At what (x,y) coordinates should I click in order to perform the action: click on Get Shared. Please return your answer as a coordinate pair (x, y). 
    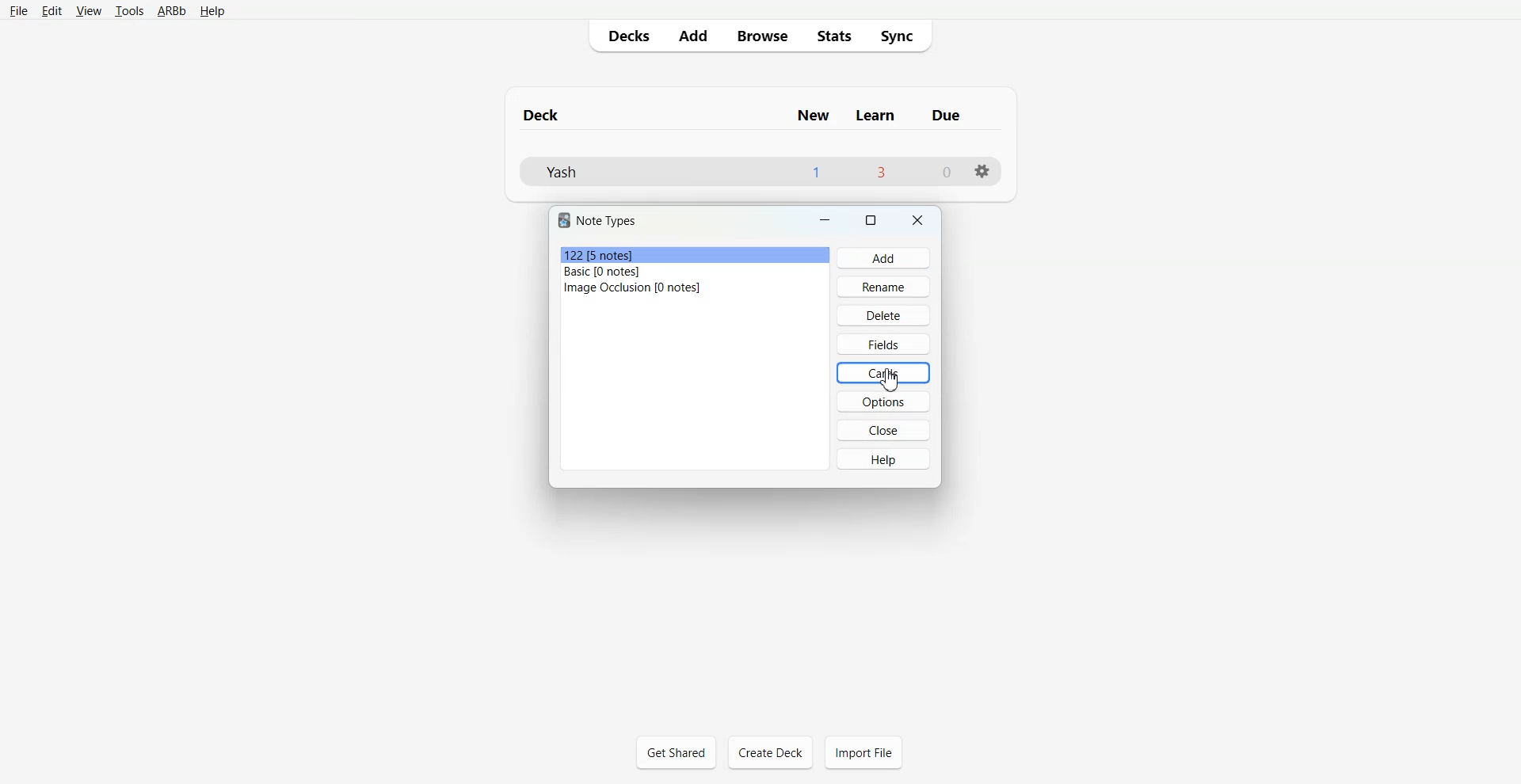
    Looking at the image, I should click on (677, 752).